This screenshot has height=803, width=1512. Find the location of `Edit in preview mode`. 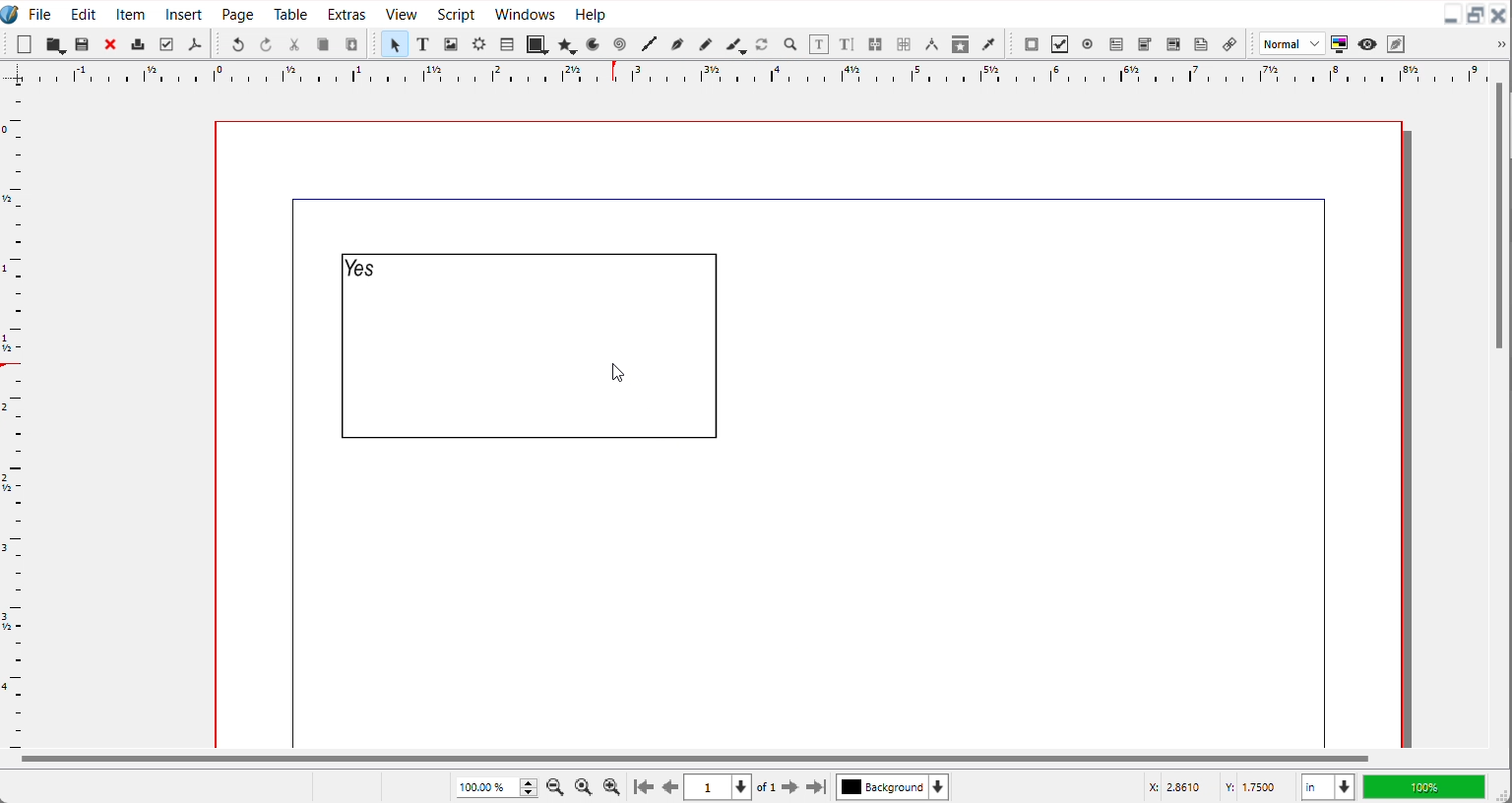

Edit in preview mode is located at coordinates (1397, 43).